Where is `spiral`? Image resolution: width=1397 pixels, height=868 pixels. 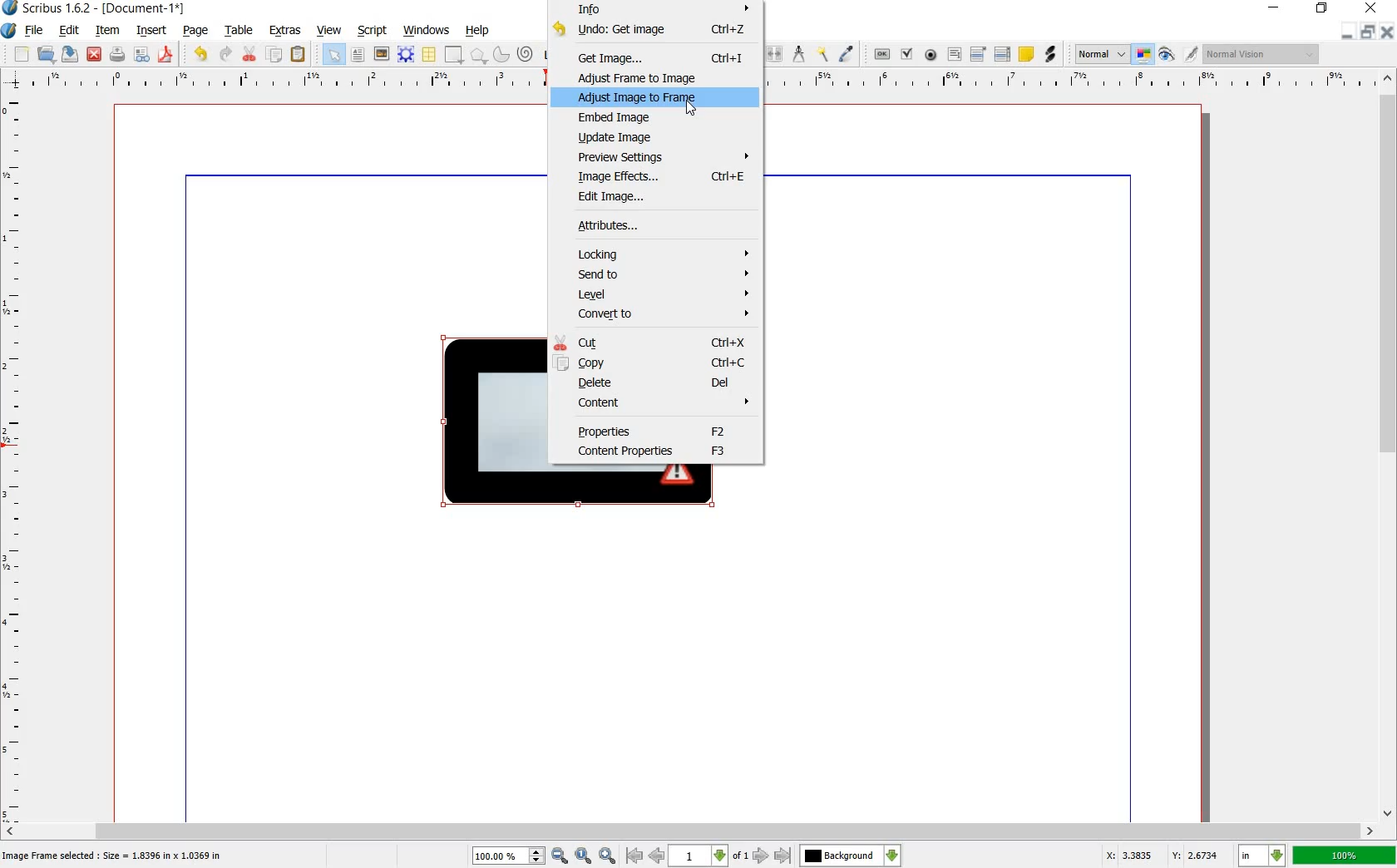
spiral is located at coordinates (525, 53).